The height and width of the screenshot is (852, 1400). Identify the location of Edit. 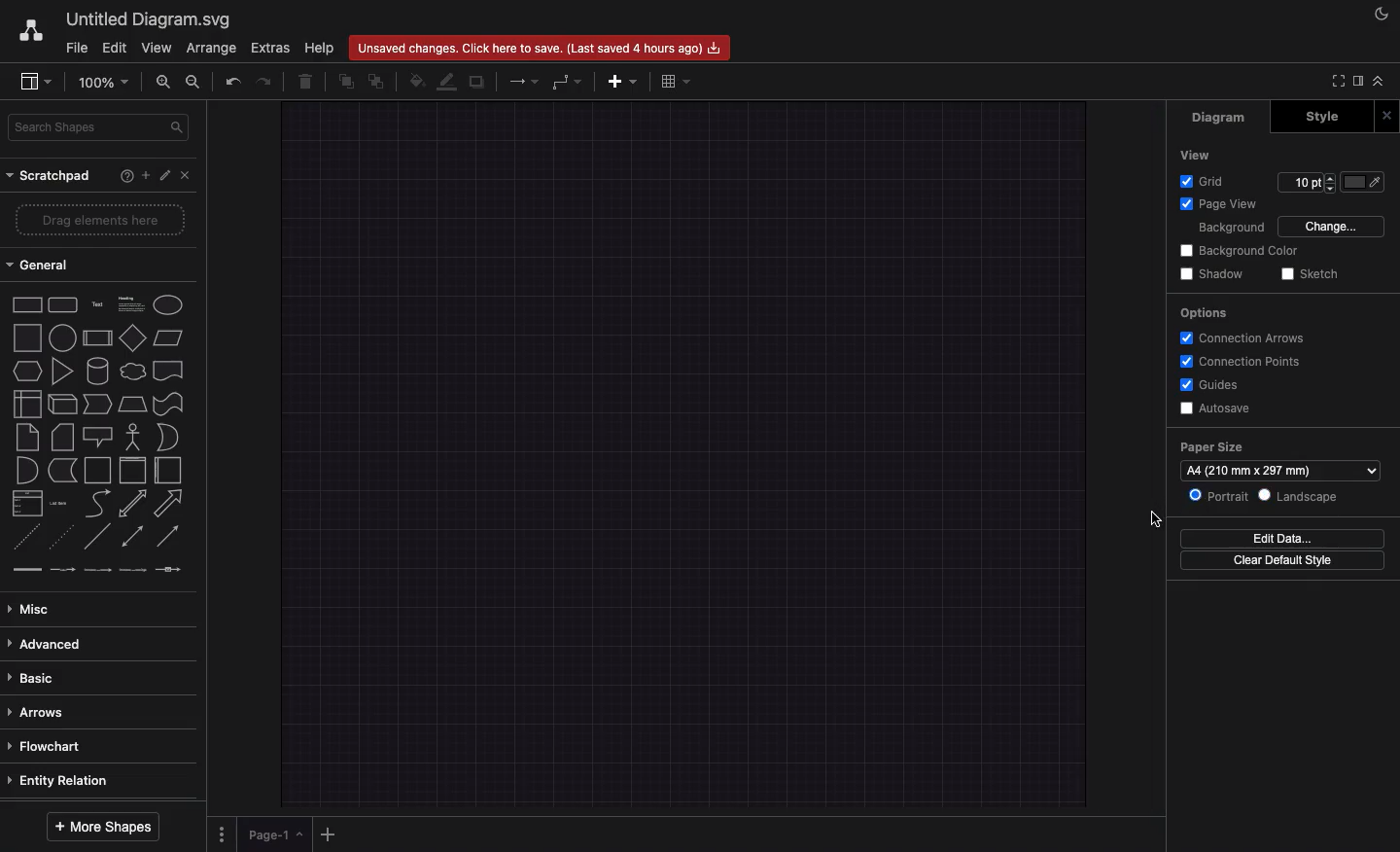
(118, 49).